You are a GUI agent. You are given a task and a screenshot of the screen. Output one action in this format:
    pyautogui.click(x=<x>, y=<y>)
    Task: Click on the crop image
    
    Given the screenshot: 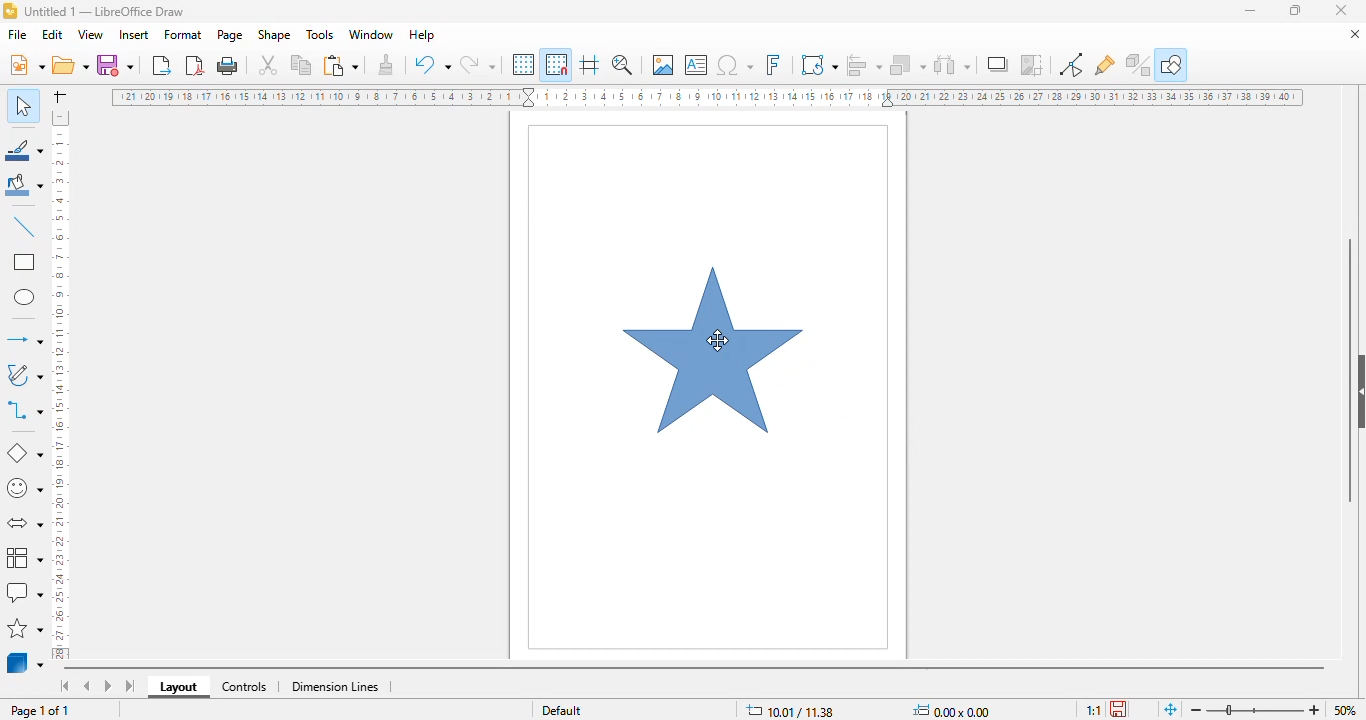 What is the action you would take?
    pyautogui.click(x=1032, y=64)
    